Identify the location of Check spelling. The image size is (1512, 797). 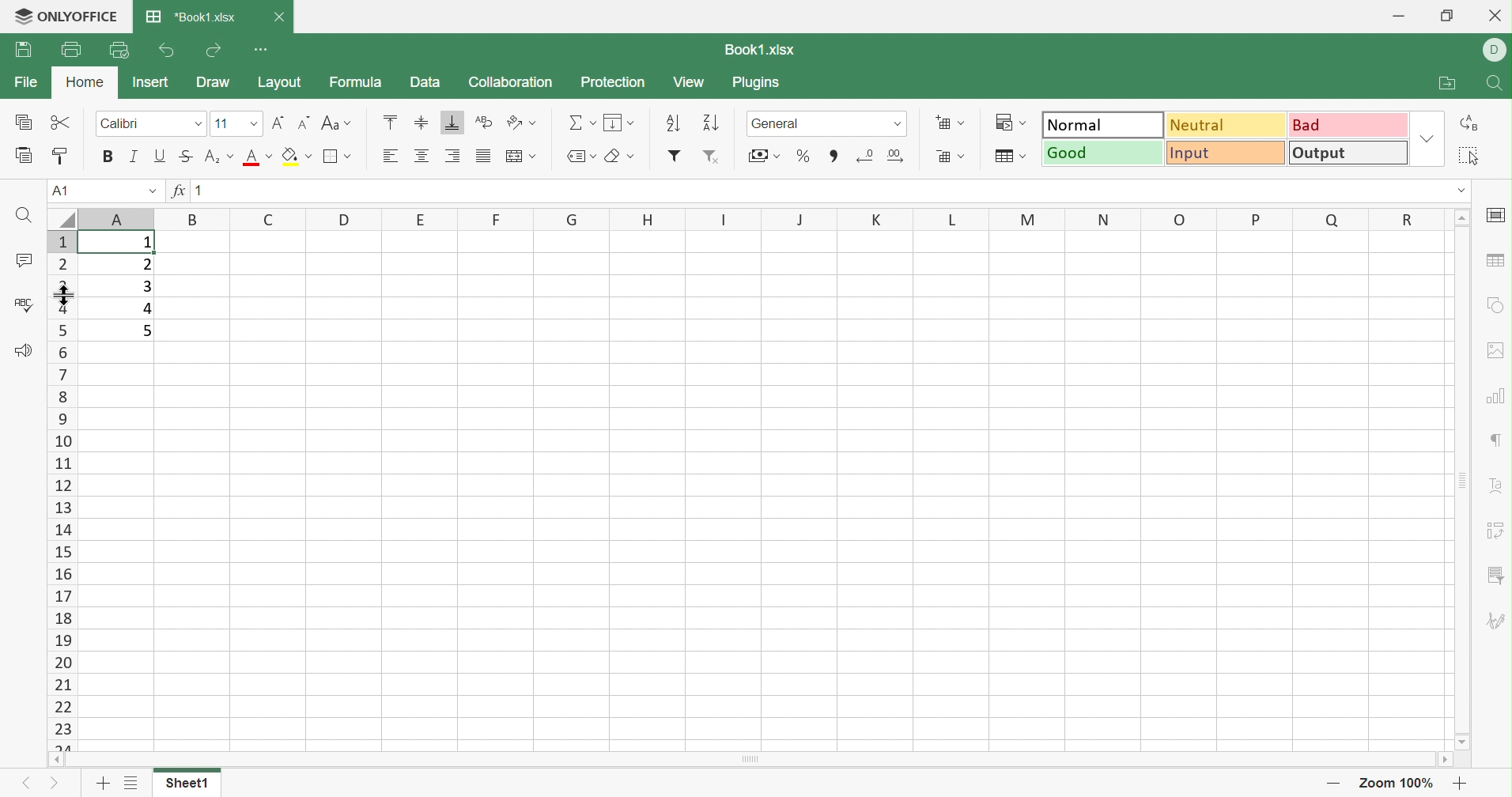
(21, 304).